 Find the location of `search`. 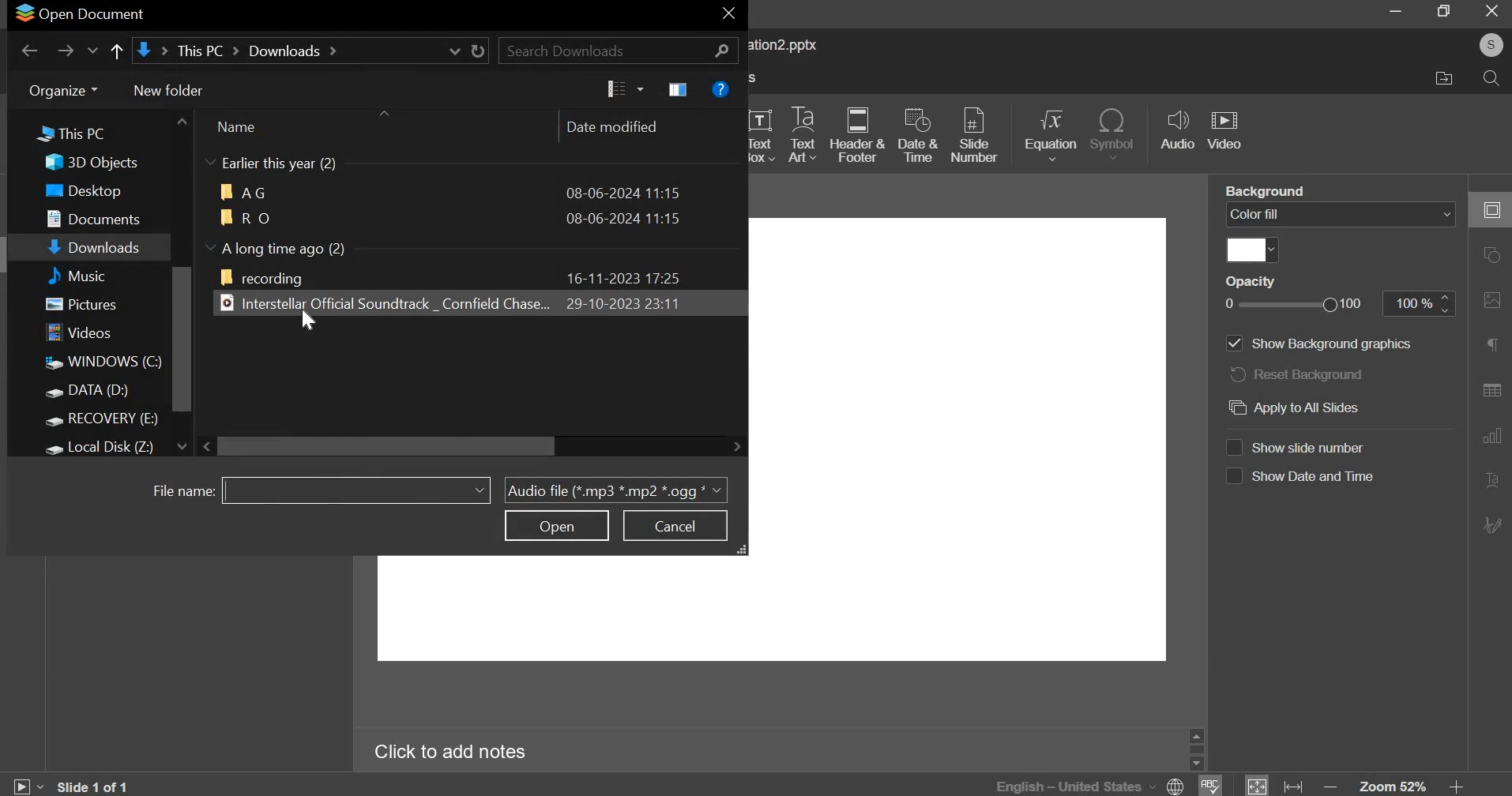

search is located at coordinates (1491, 79).